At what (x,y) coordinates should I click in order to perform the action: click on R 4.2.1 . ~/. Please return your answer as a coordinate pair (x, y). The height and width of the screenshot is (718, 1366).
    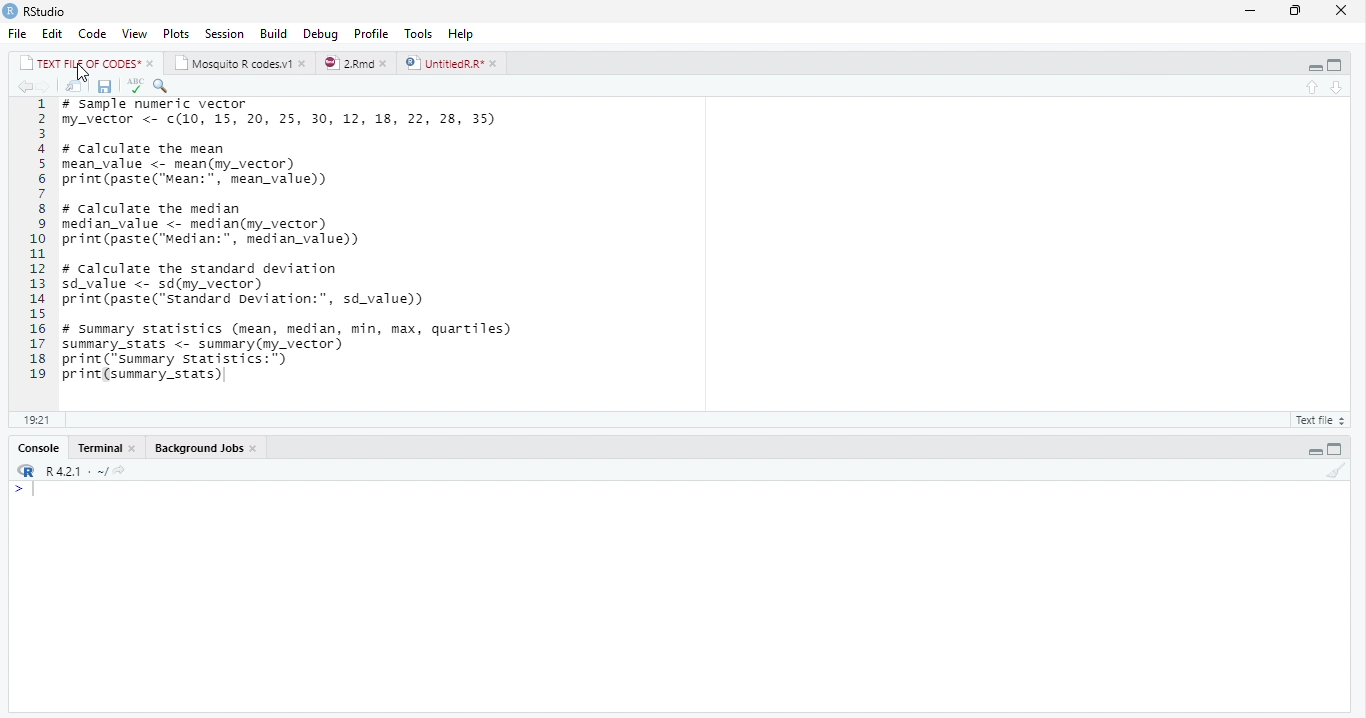
    Looking at the image, I should click on (86, 472).